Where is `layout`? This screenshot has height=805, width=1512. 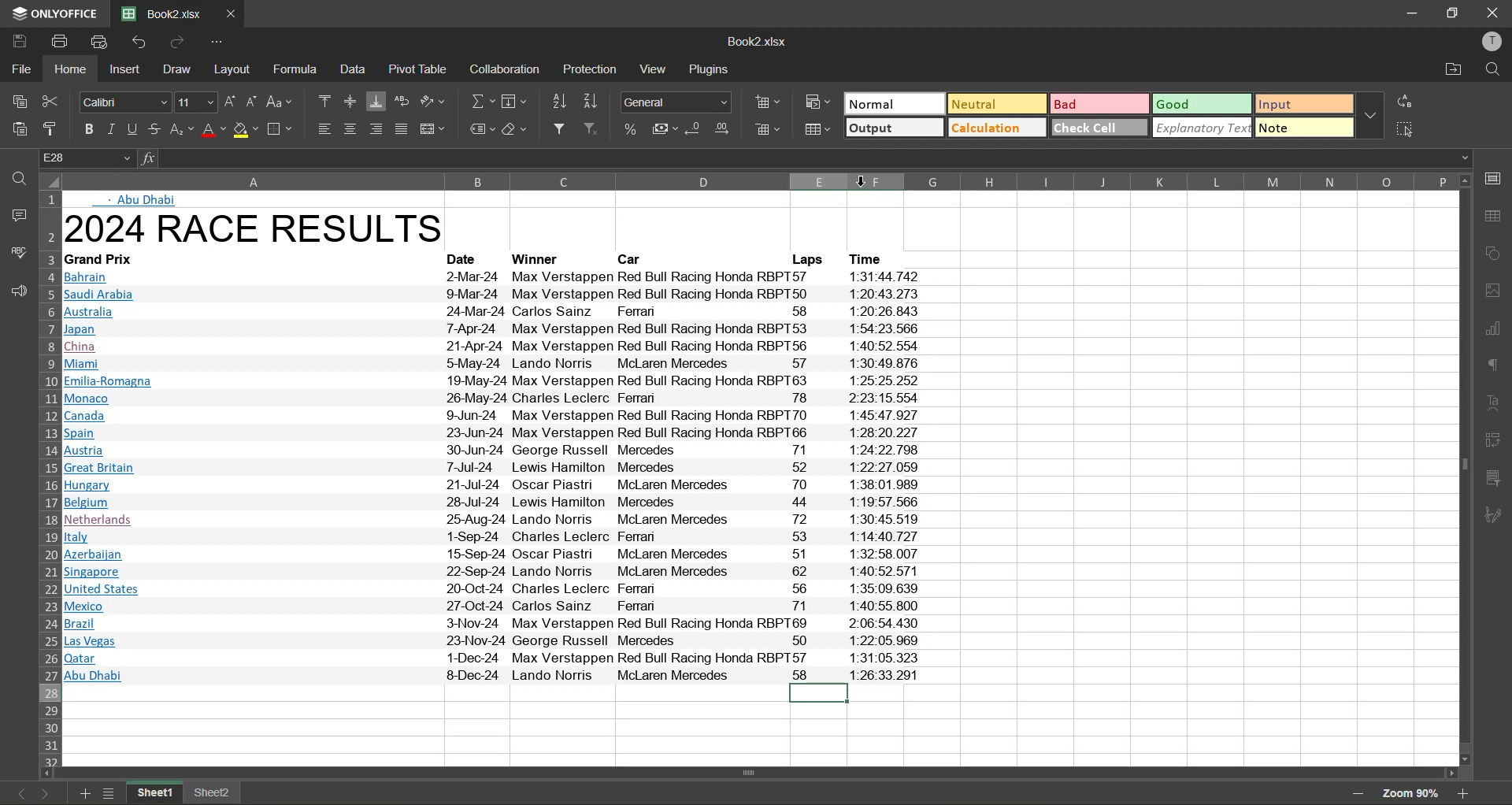 layout is located at coordinates (232, 69).